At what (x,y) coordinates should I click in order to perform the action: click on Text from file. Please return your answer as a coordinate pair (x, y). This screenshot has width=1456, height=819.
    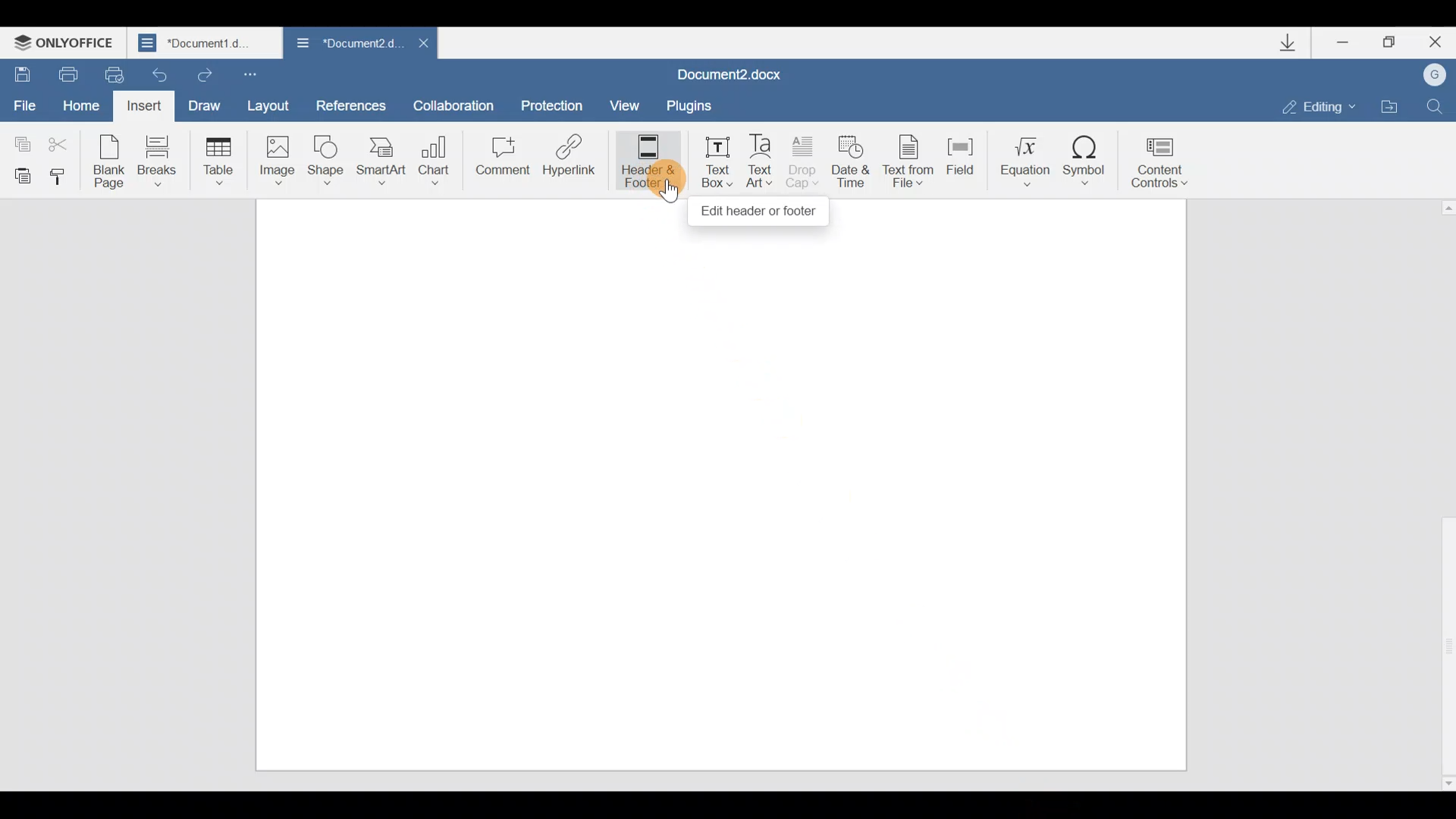
    Looking at the image, I should click on (904, 158).